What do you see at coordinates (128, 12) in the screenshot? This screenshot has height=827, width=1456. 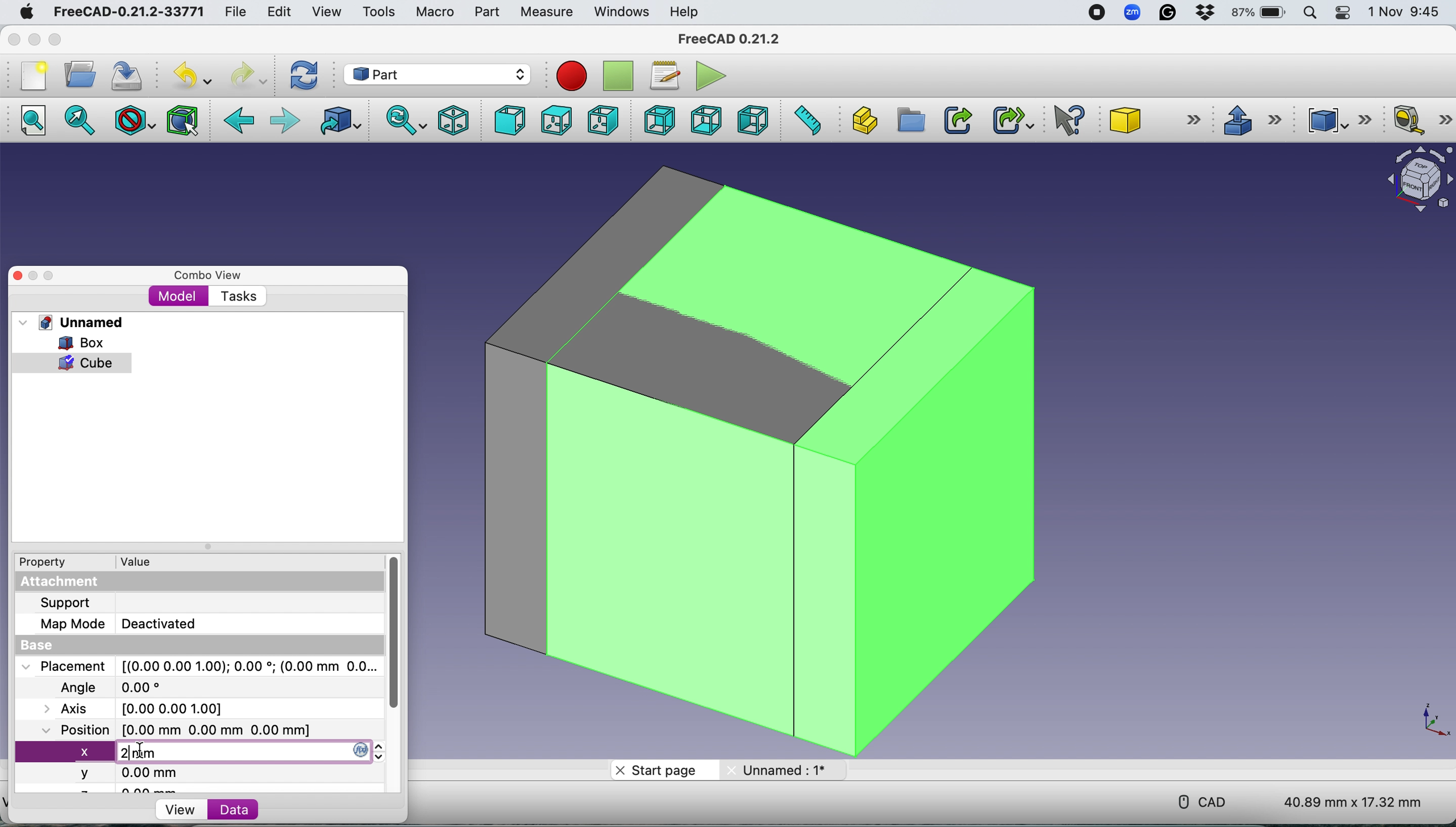 I see `FreeCAD-0.21.2-33771` at bounding box center [128, 12].